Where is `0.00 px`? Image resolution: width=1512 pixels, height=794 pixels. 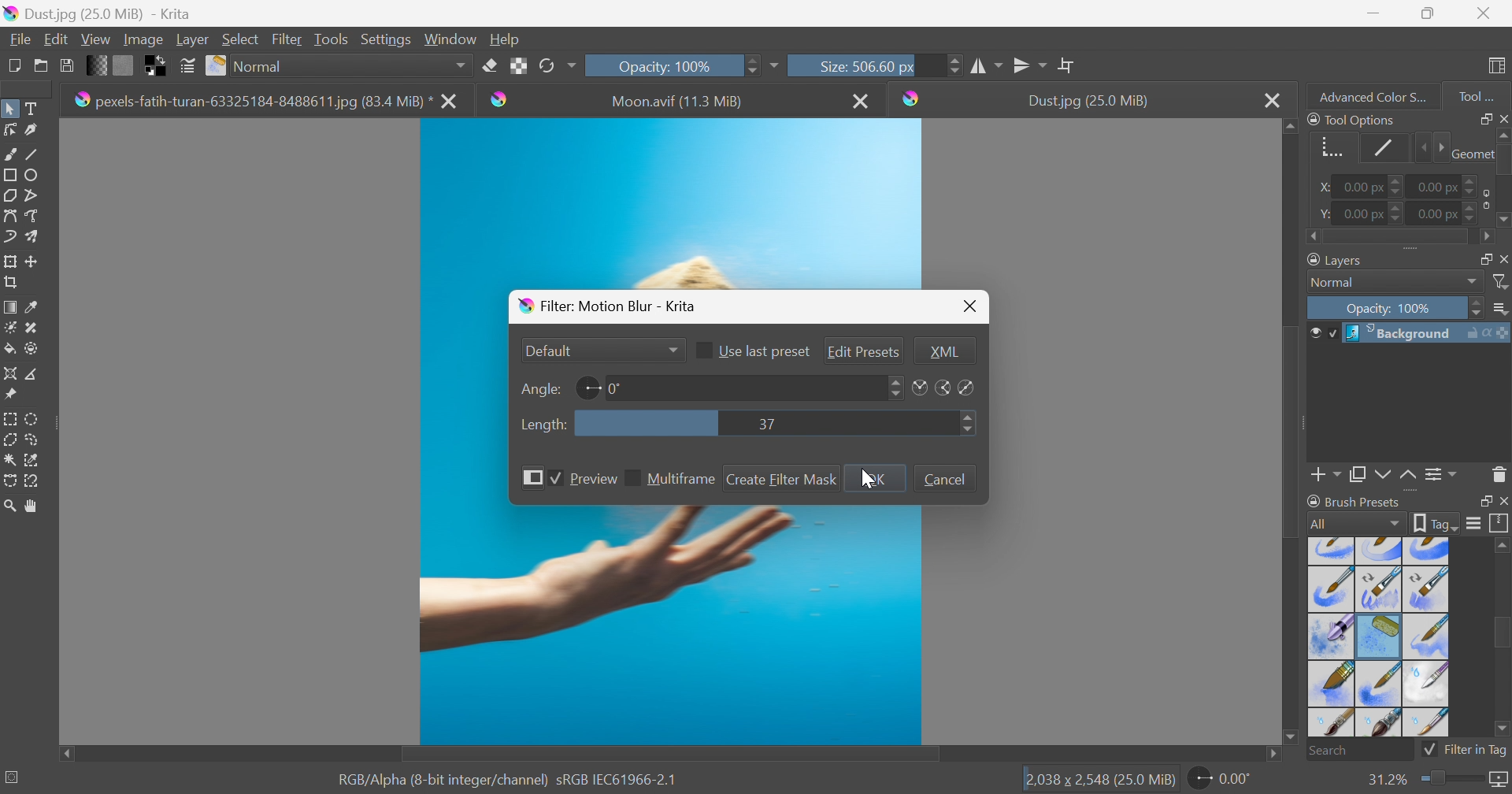
0.00 px is located at coordinates (1439, 185).